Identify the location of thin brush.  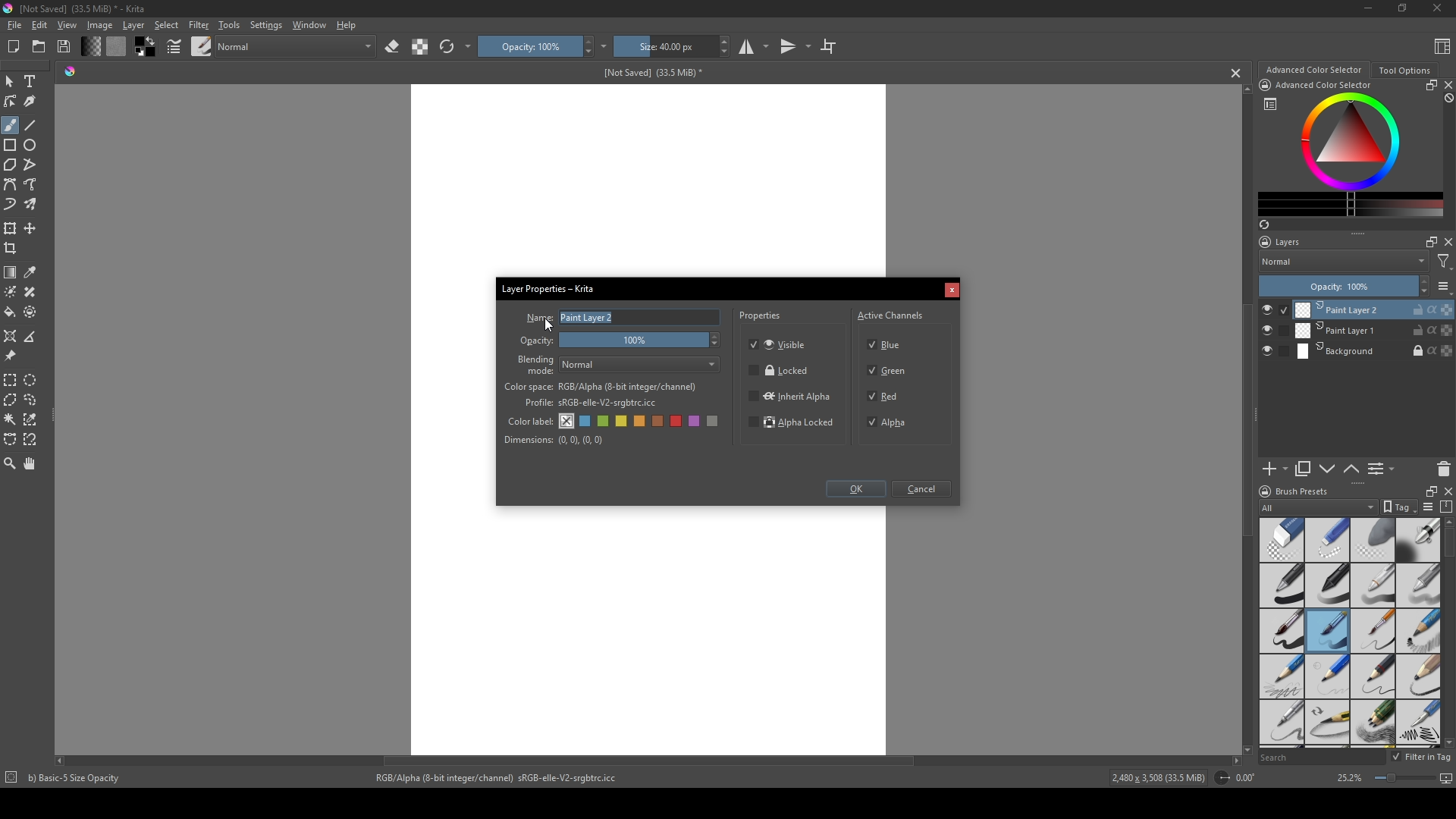
(1373, 632).